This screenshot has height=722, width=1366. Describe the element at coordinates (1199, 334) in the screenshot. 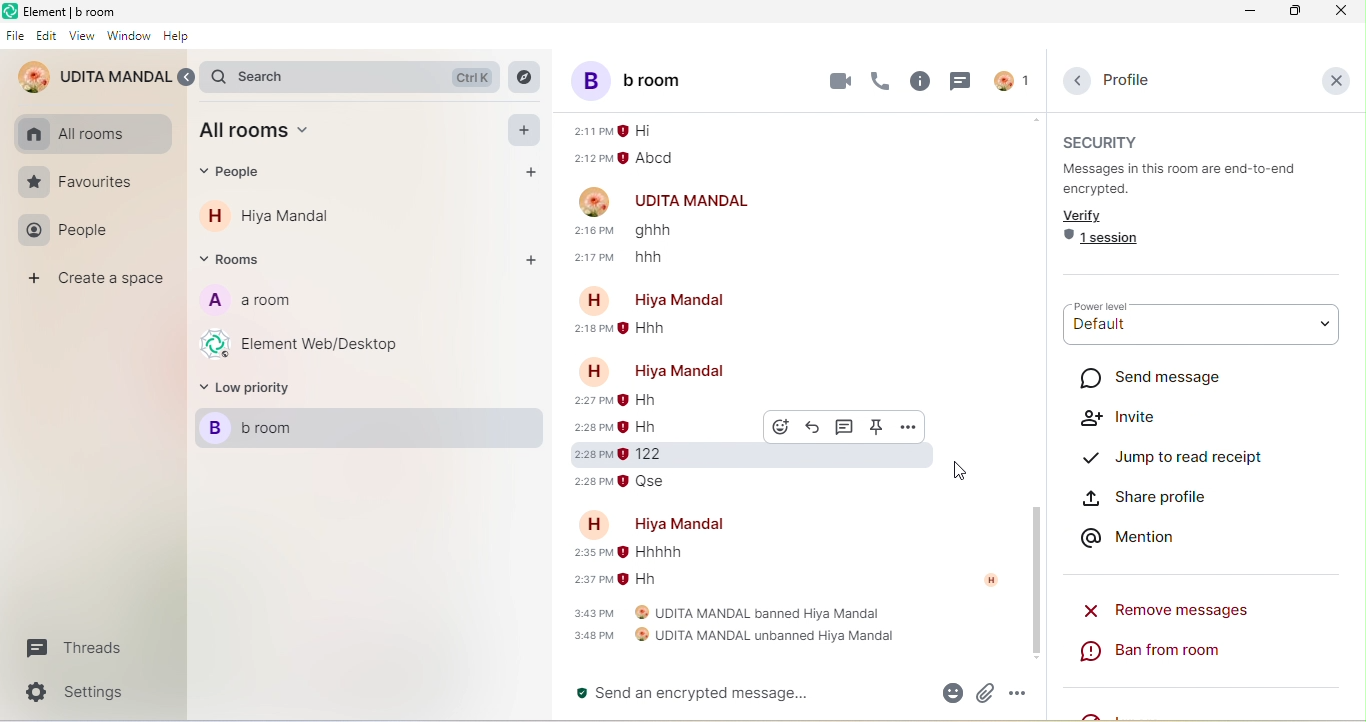

I see `default` at that location.